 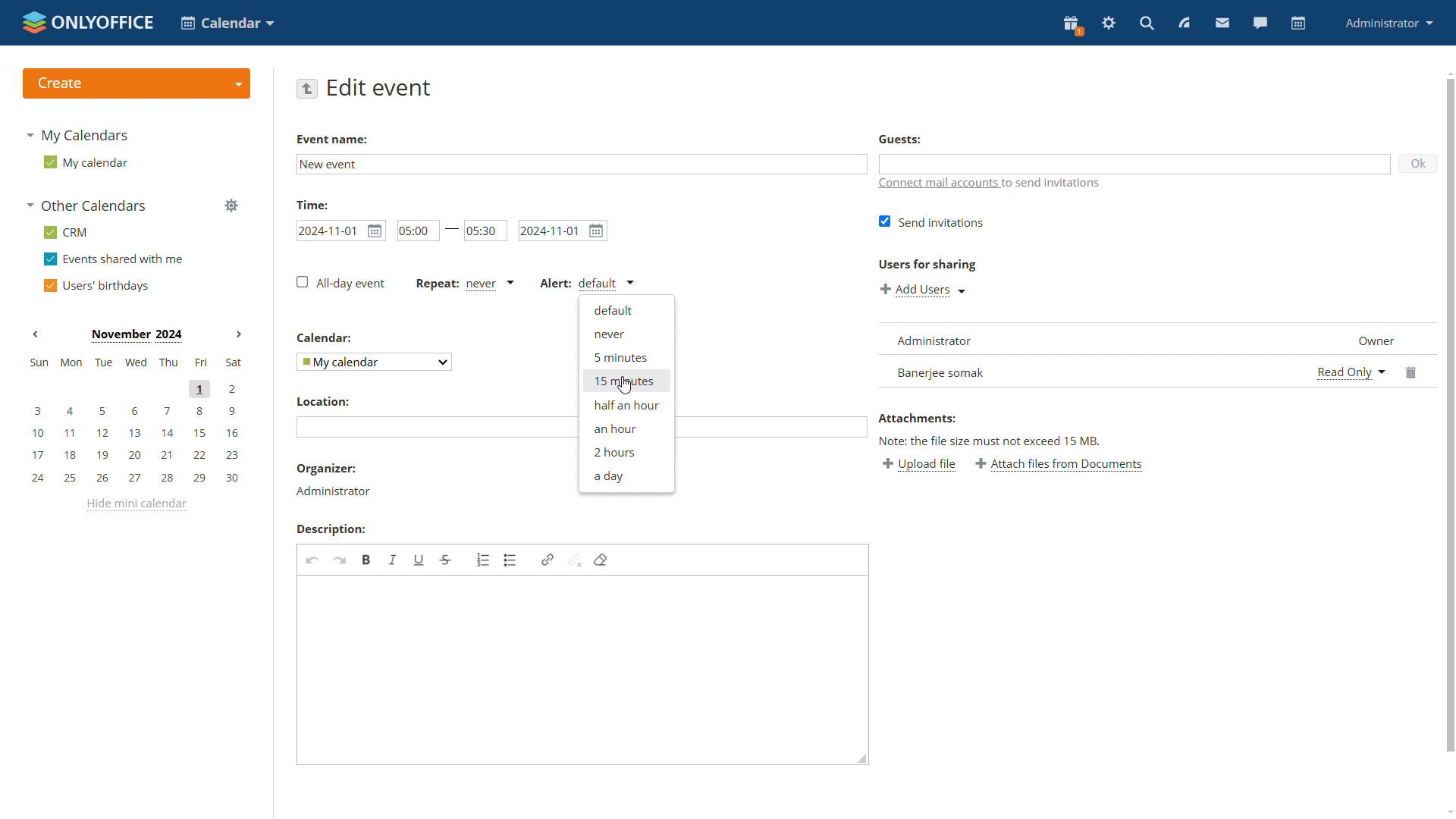 I want to click on attach files from documents, so click(x=1059, y=464).